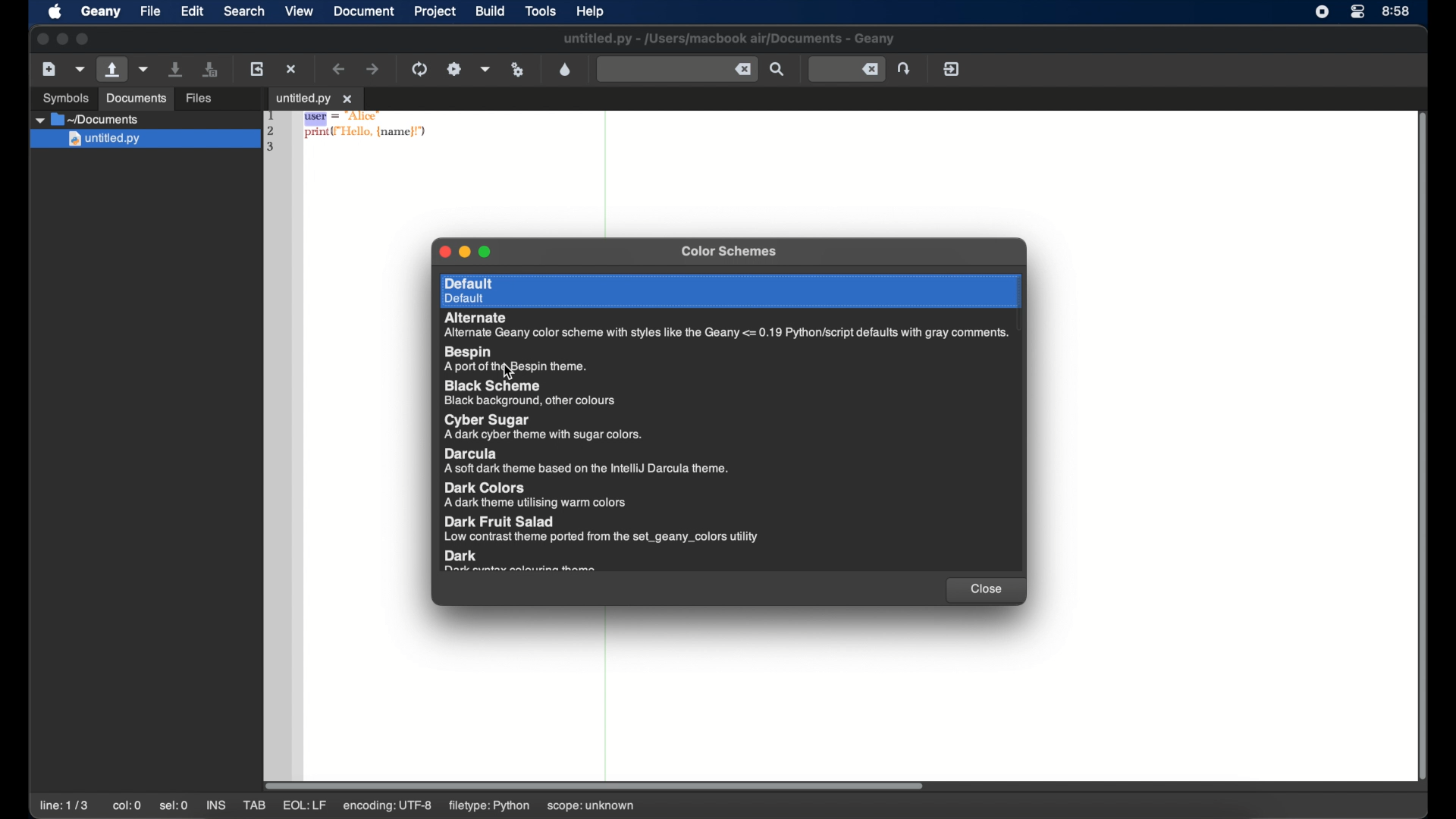  What do you see at coordinates (145, 140) in the screenshot?
I see `untitled.py` at bounding box center [145, 140].